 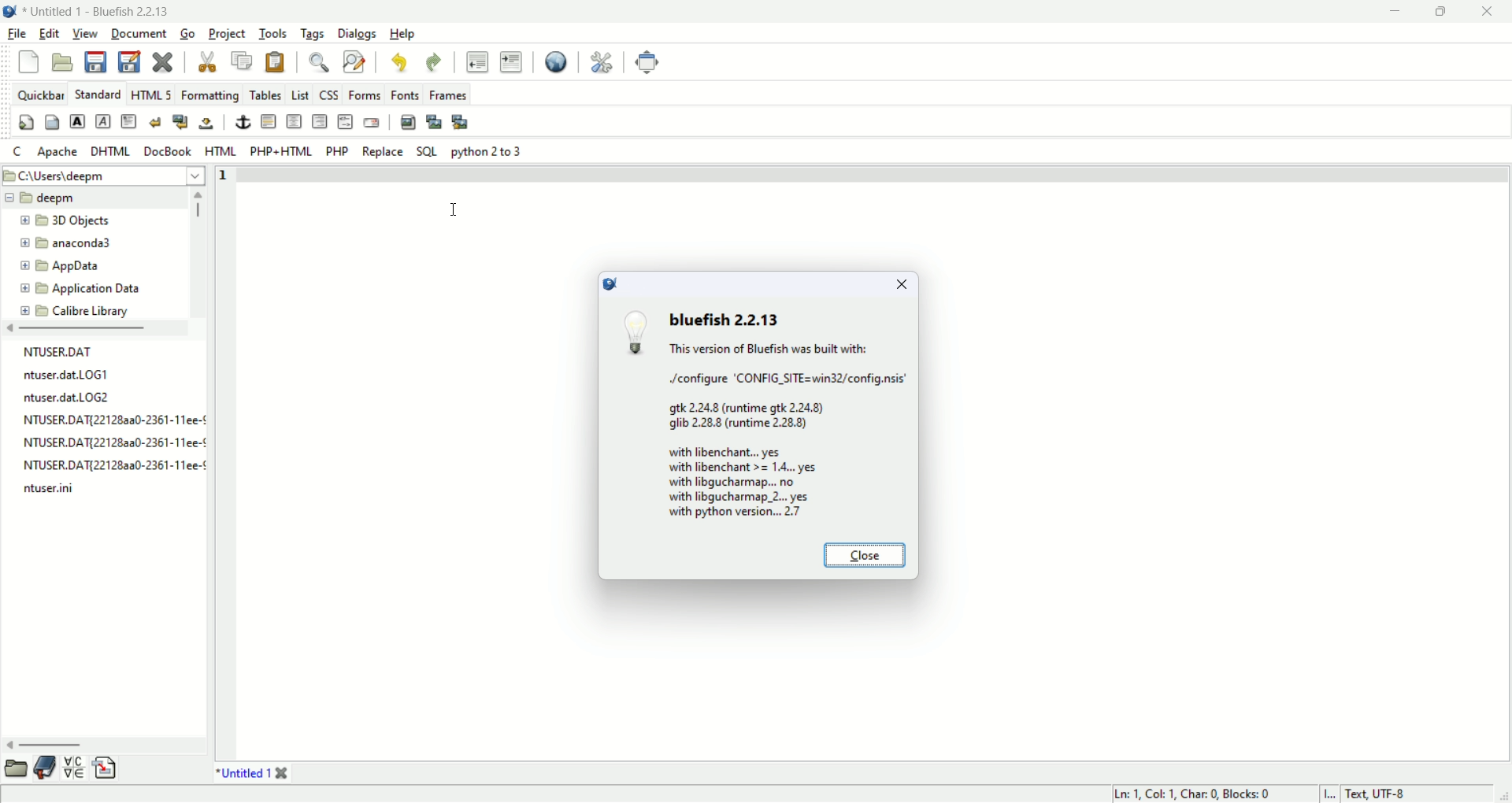 I want to click on DHTML, so click(x=111, y=153).